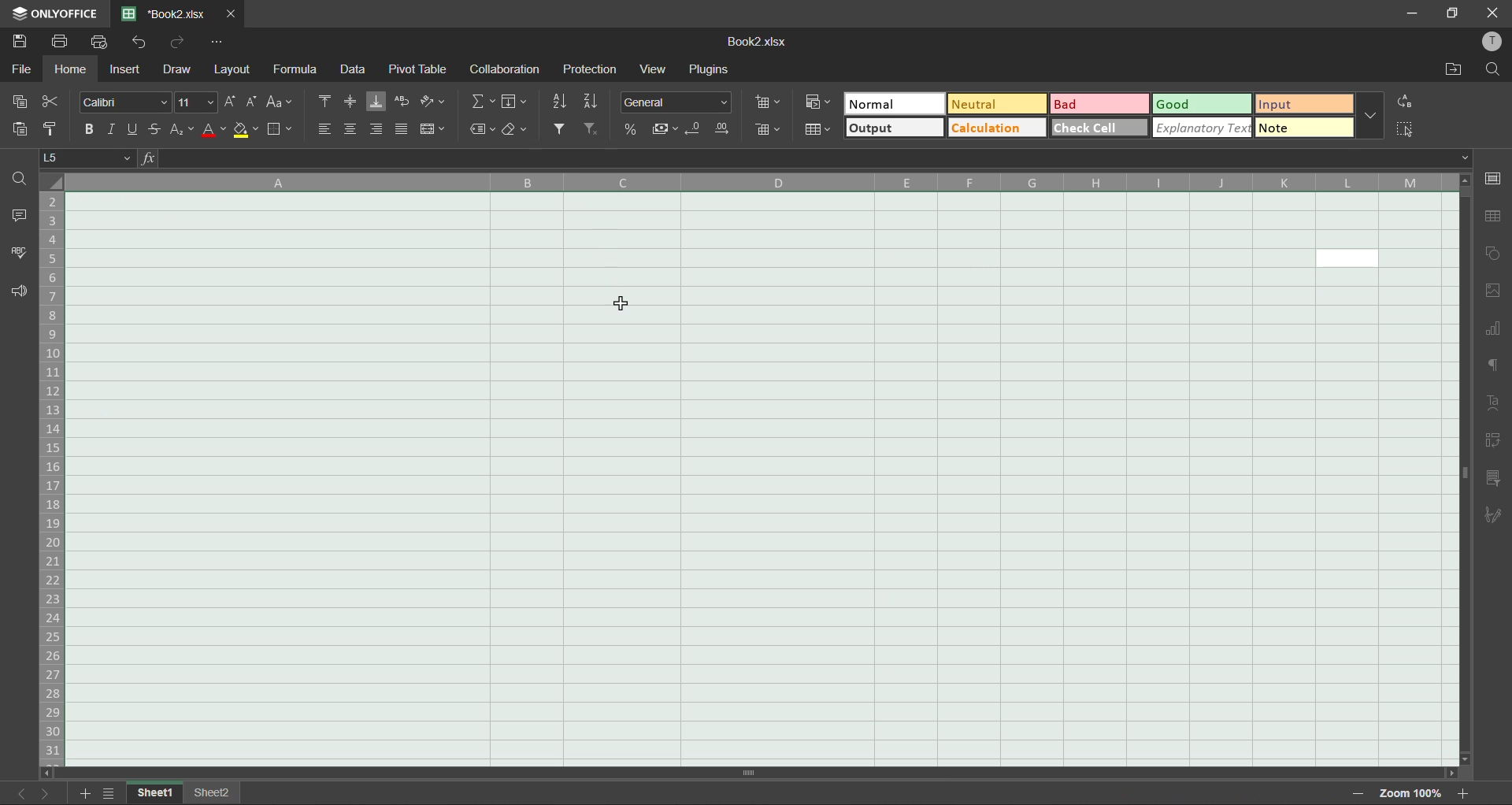  I want to click on input, so click(1299, 104).